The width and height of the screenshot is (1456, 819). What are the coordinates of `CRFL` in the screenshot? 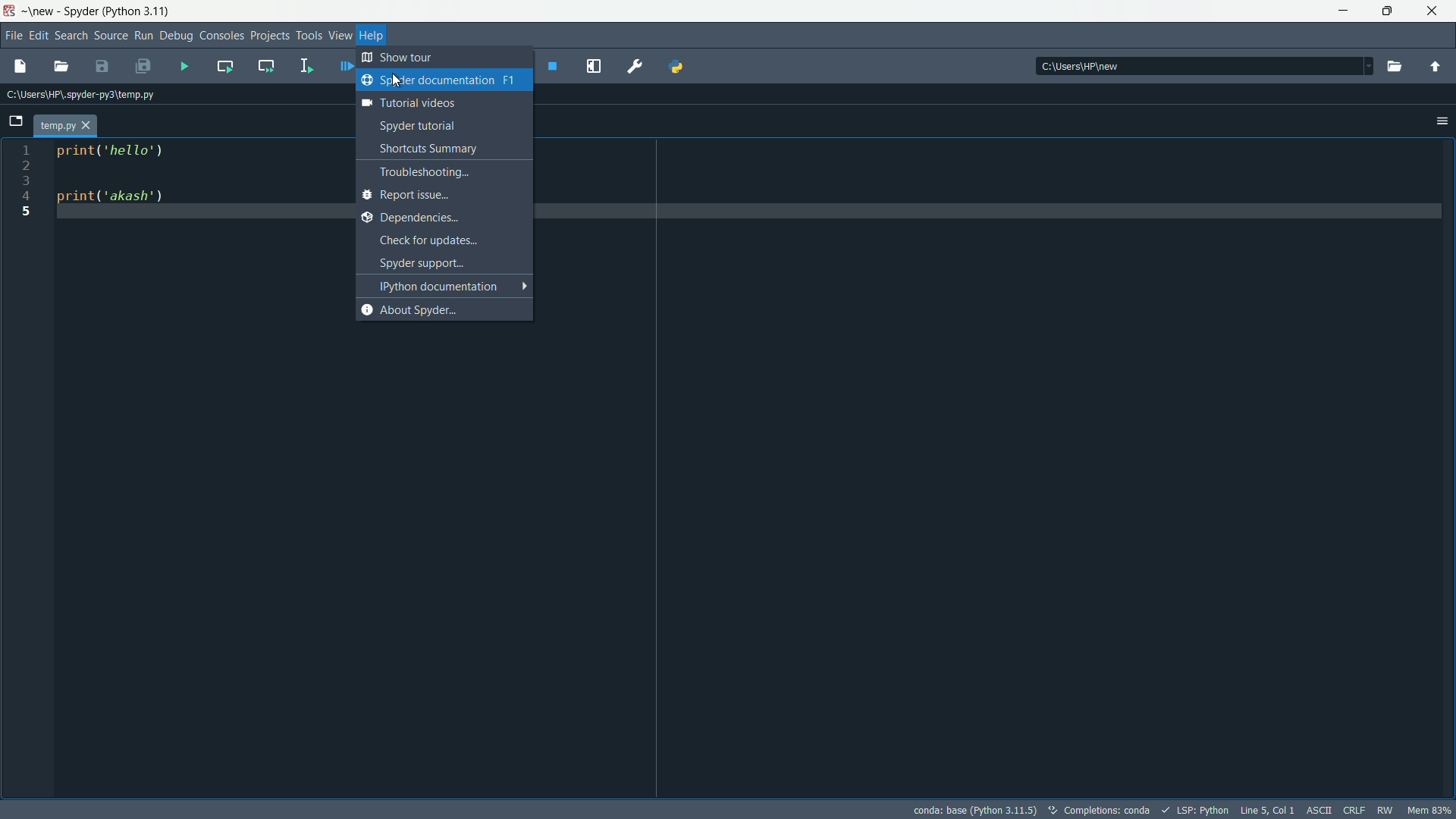 It's located at (1354, 810).